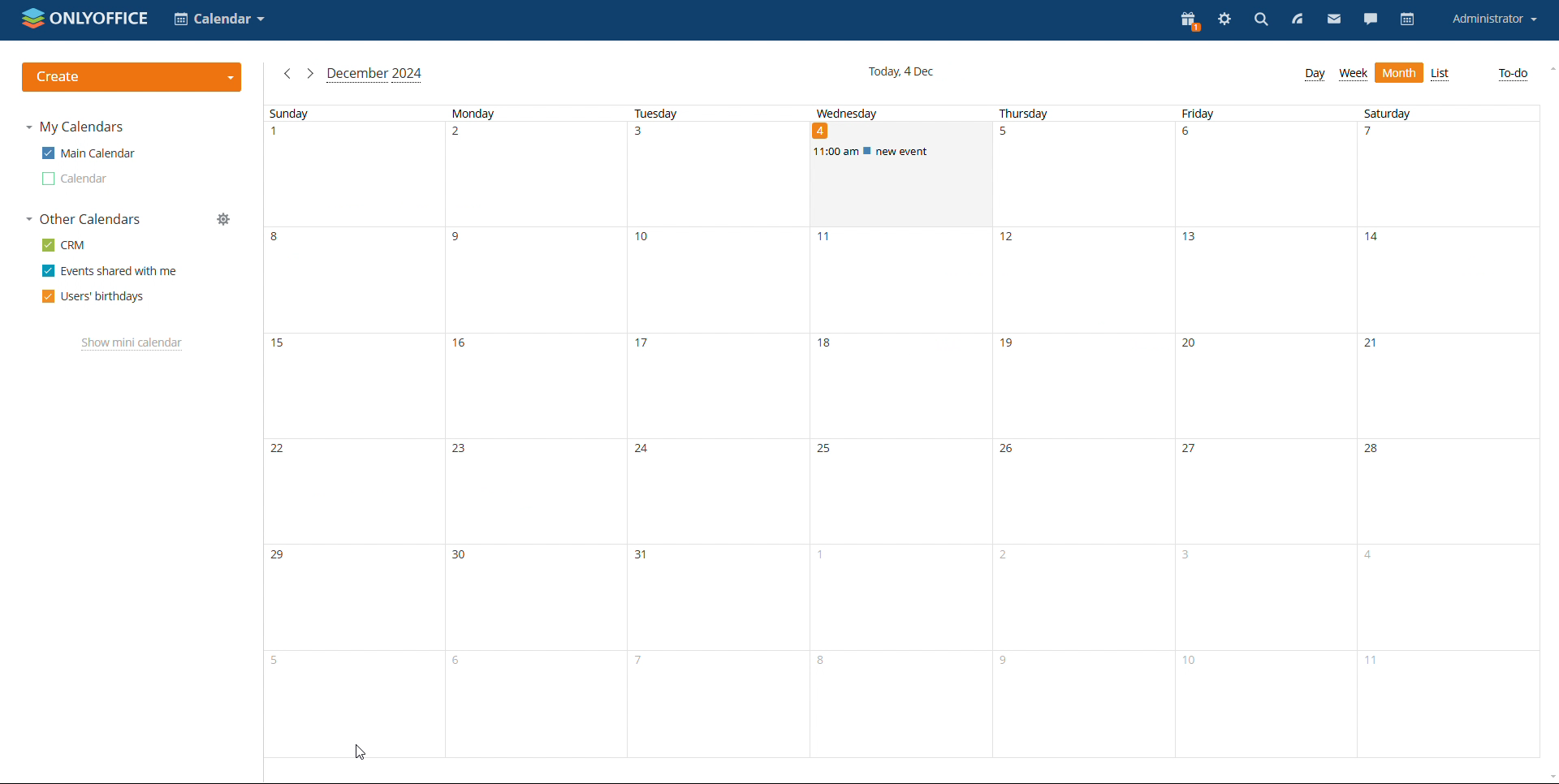  I want to click on day view, so click(1314, 75).